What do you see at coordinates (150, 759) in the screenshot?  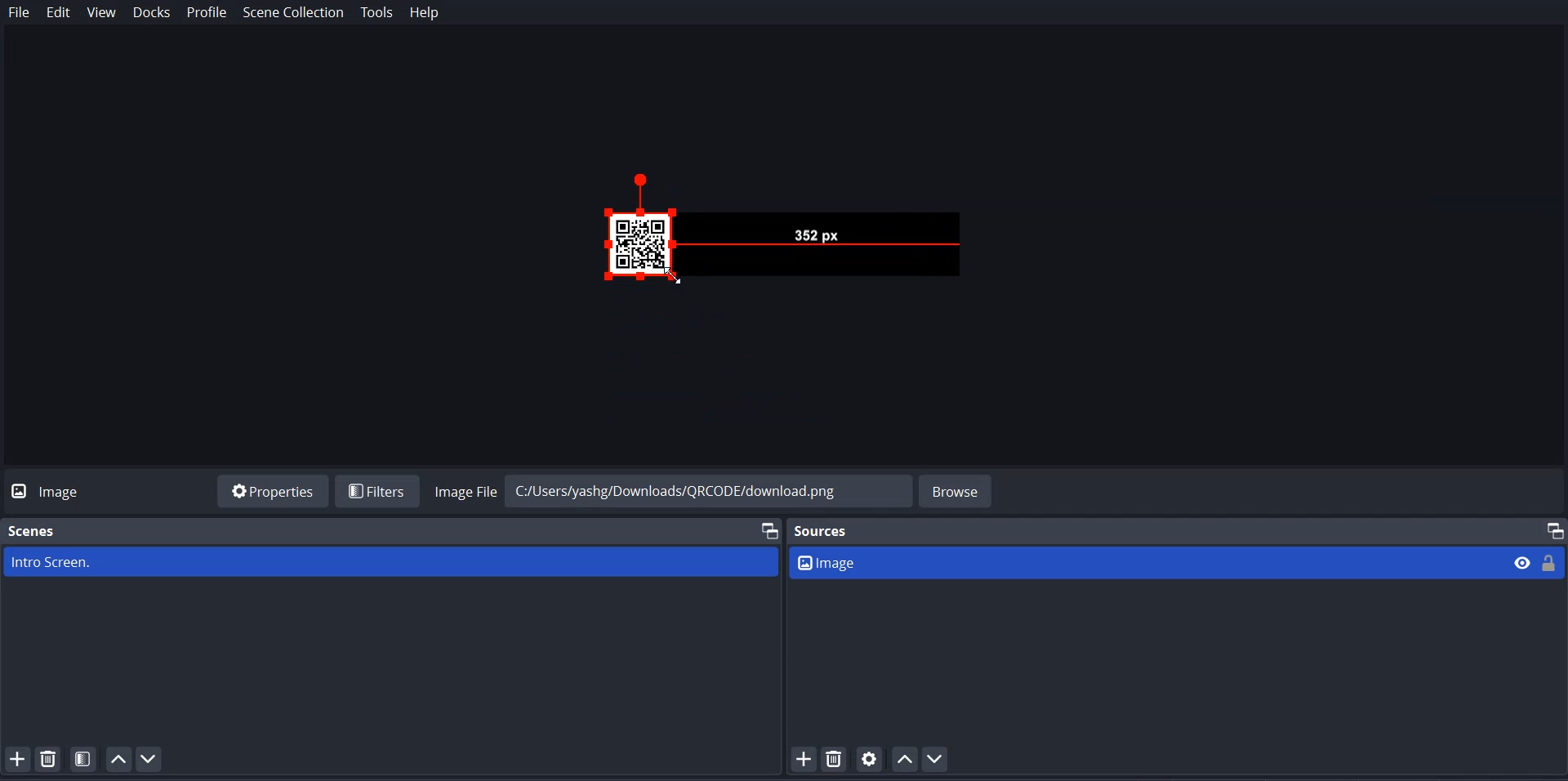 I see `Move Scene Down ` at bounding box center [150, 759].